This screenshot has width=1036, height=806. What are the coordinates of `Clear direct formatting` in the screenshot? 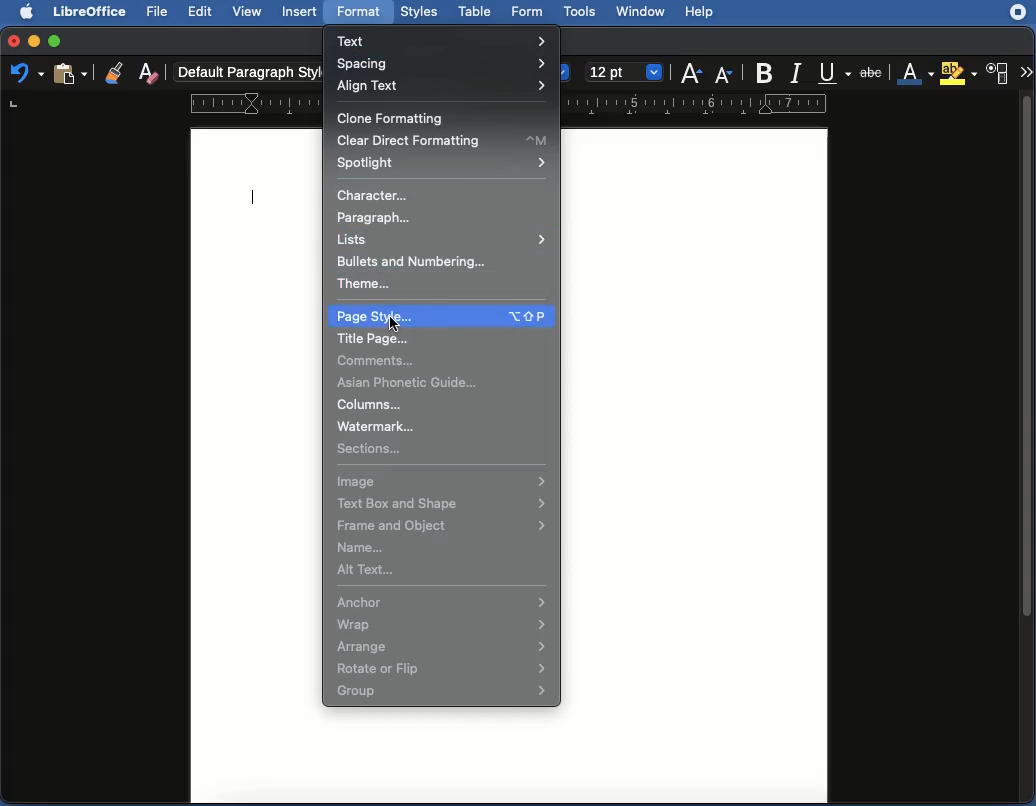 It's located at (444, 141).